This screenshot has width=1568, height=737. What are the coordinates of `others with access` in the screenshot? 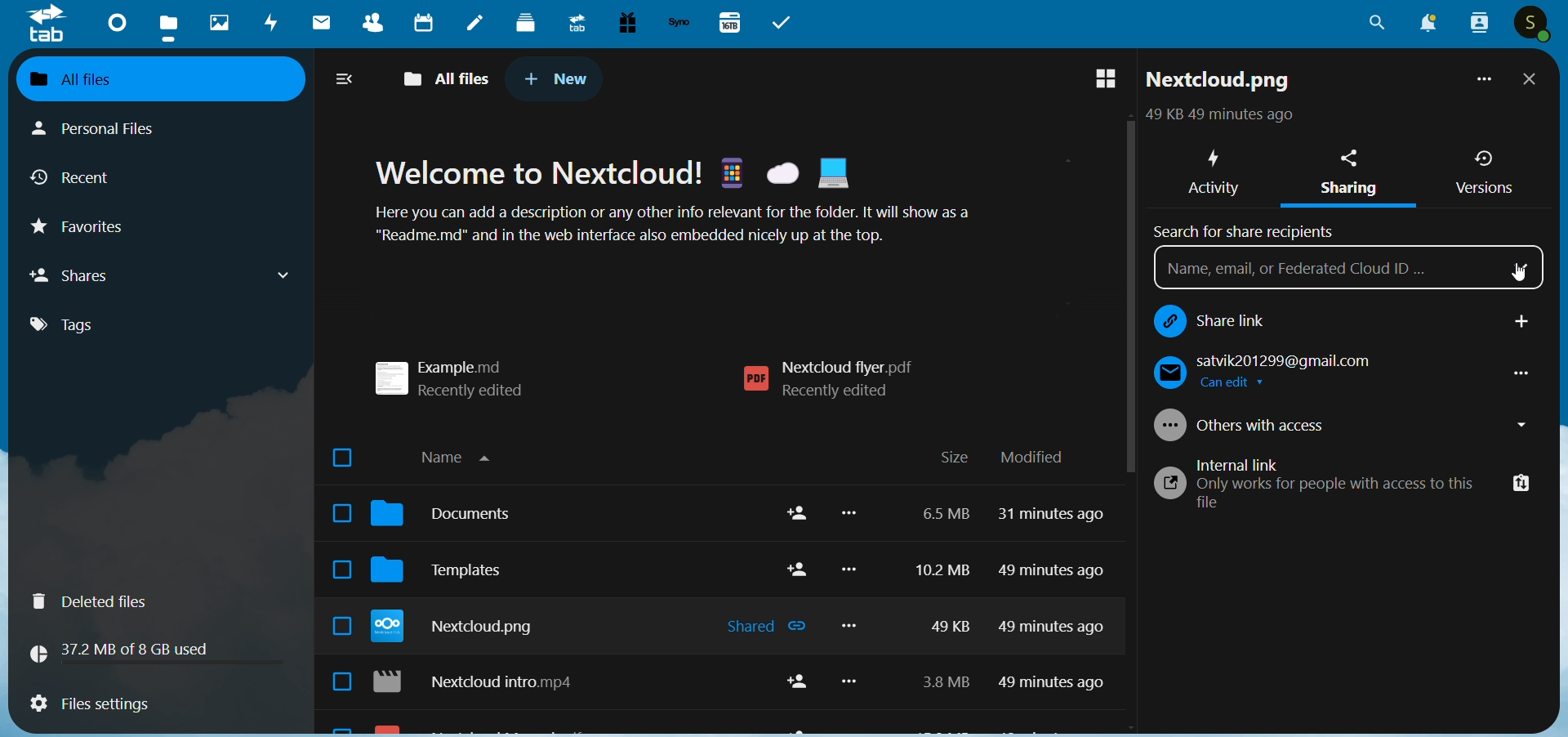 It's located at (1346, 426).